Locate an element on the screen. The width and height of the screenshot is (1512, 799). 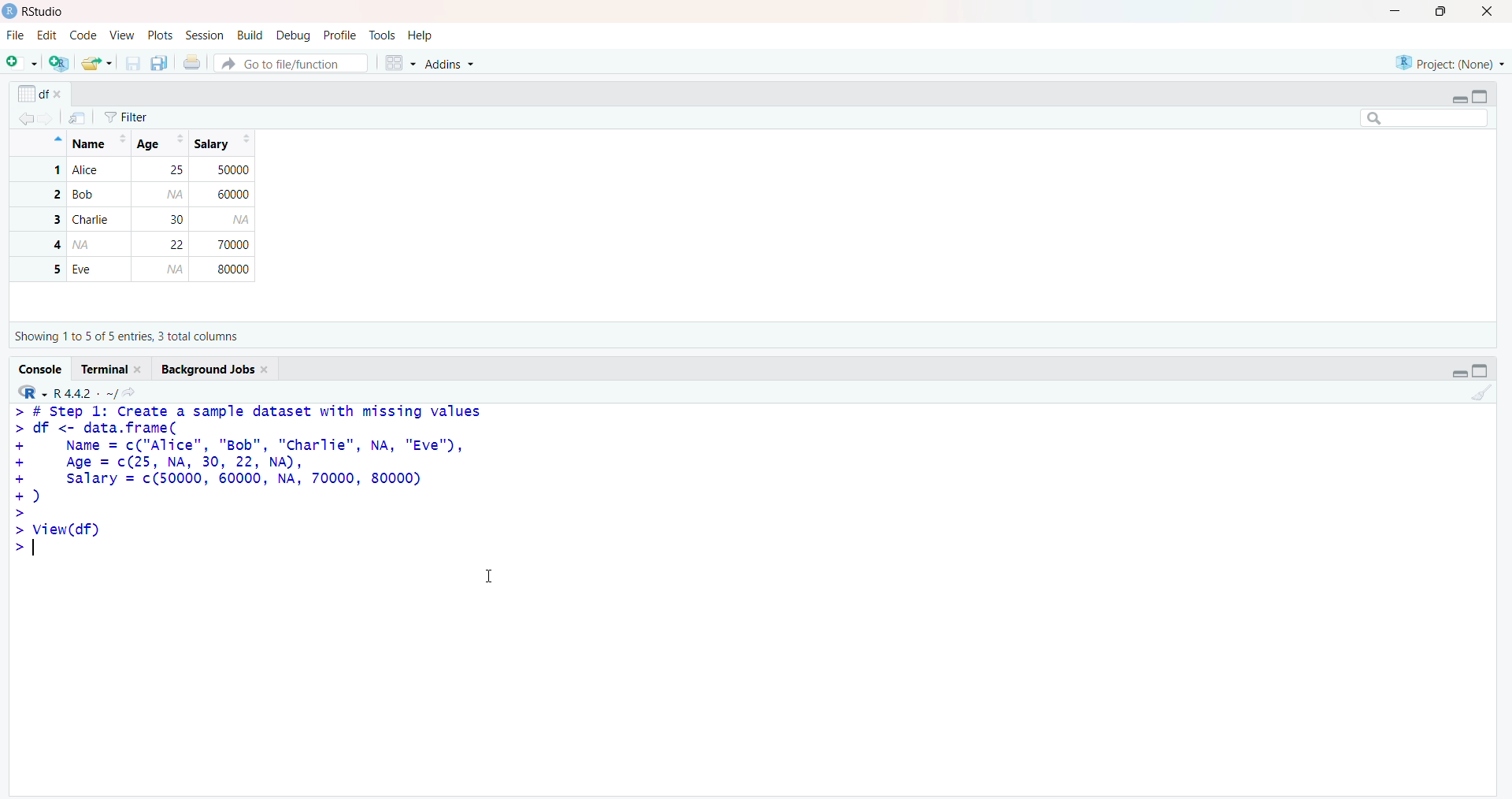
Help is located at coordinates (422, 35).